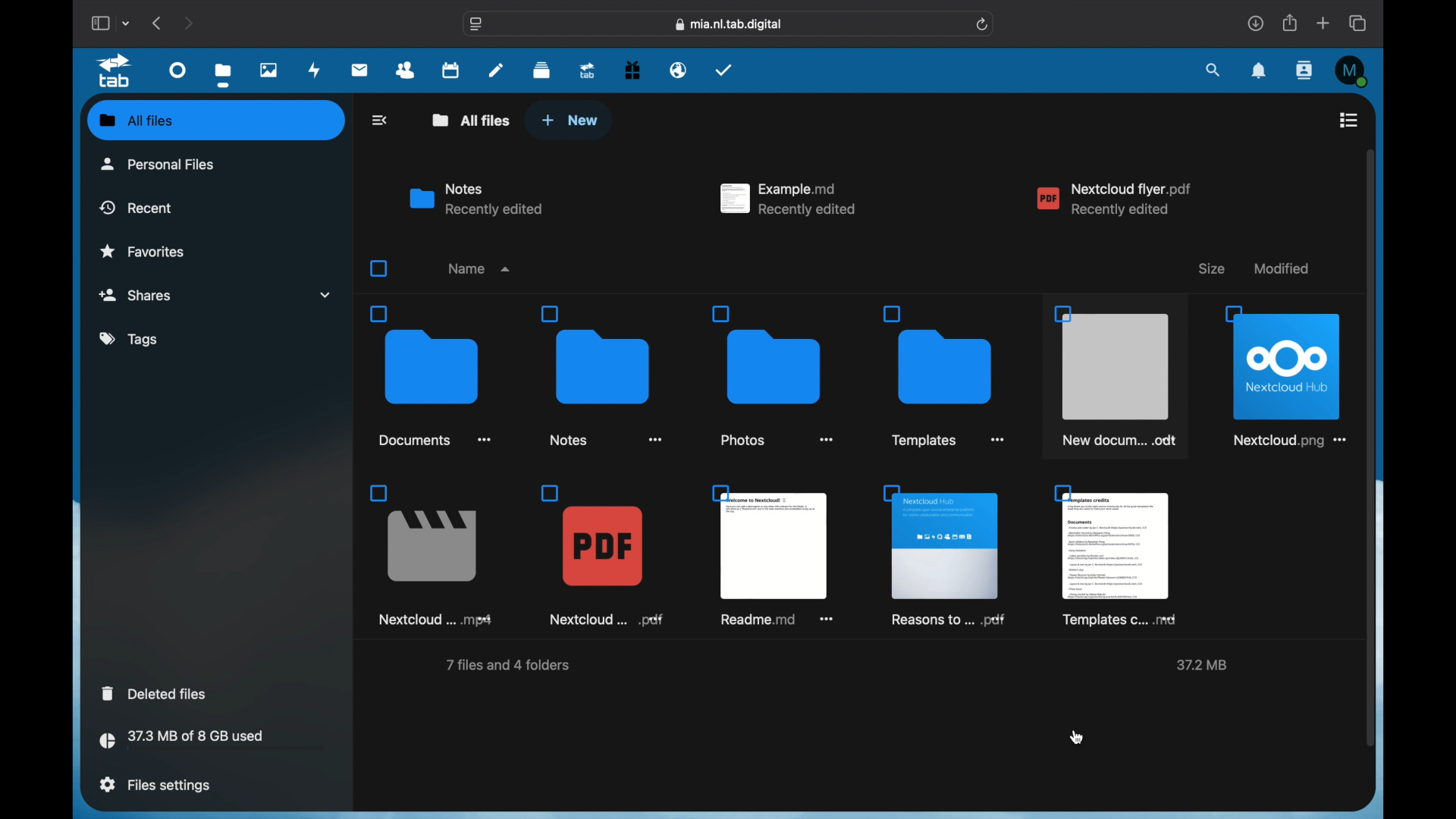  I want to click on share, so click(1291, 23).